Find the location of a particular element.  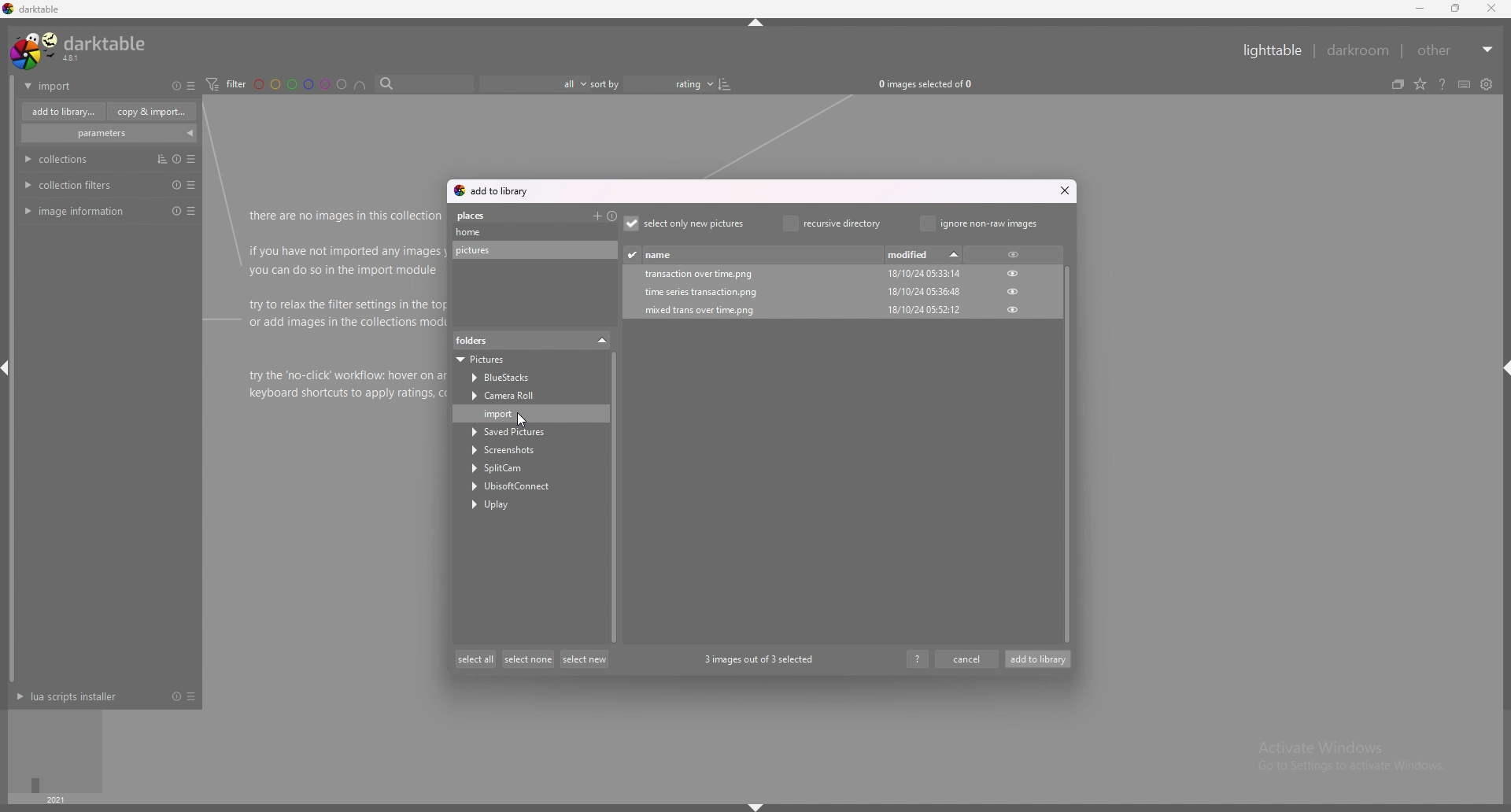

hide is located at coordinates (1012, 291).